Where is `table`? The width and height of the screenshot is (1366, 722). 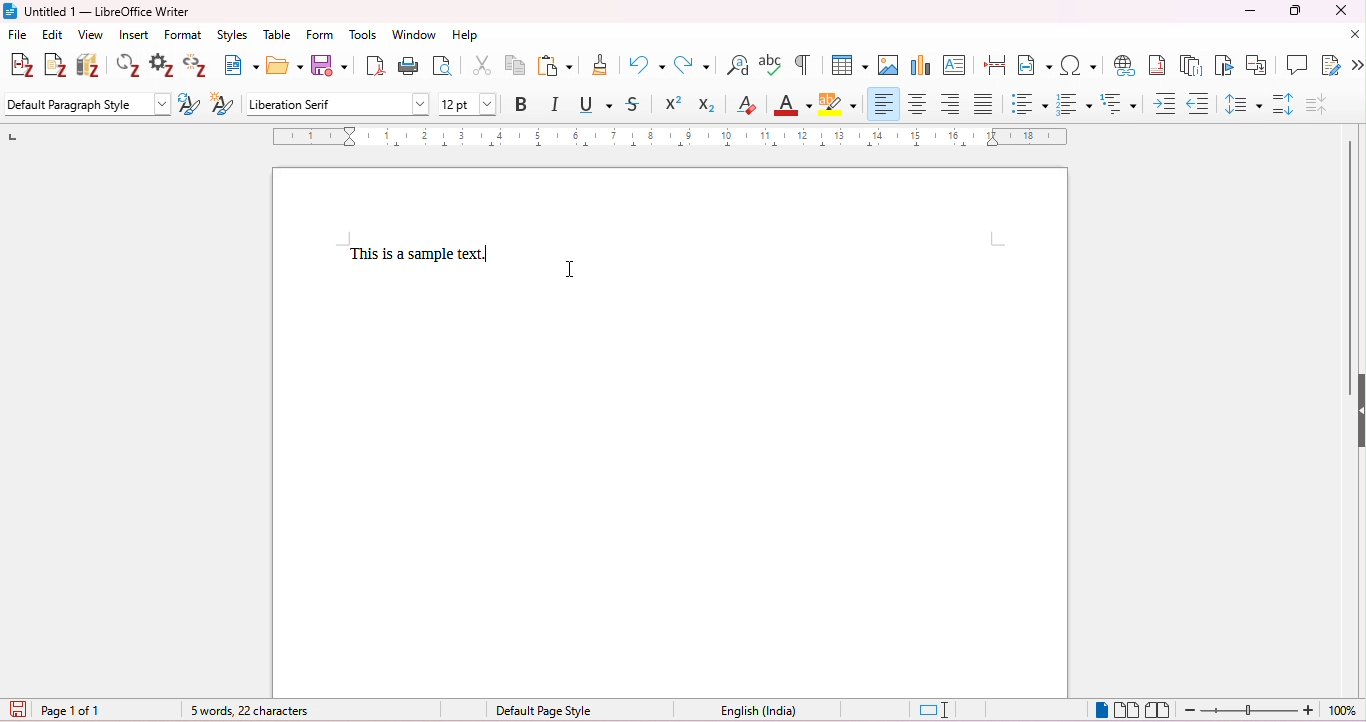 table is located at coordinates (278, 35).